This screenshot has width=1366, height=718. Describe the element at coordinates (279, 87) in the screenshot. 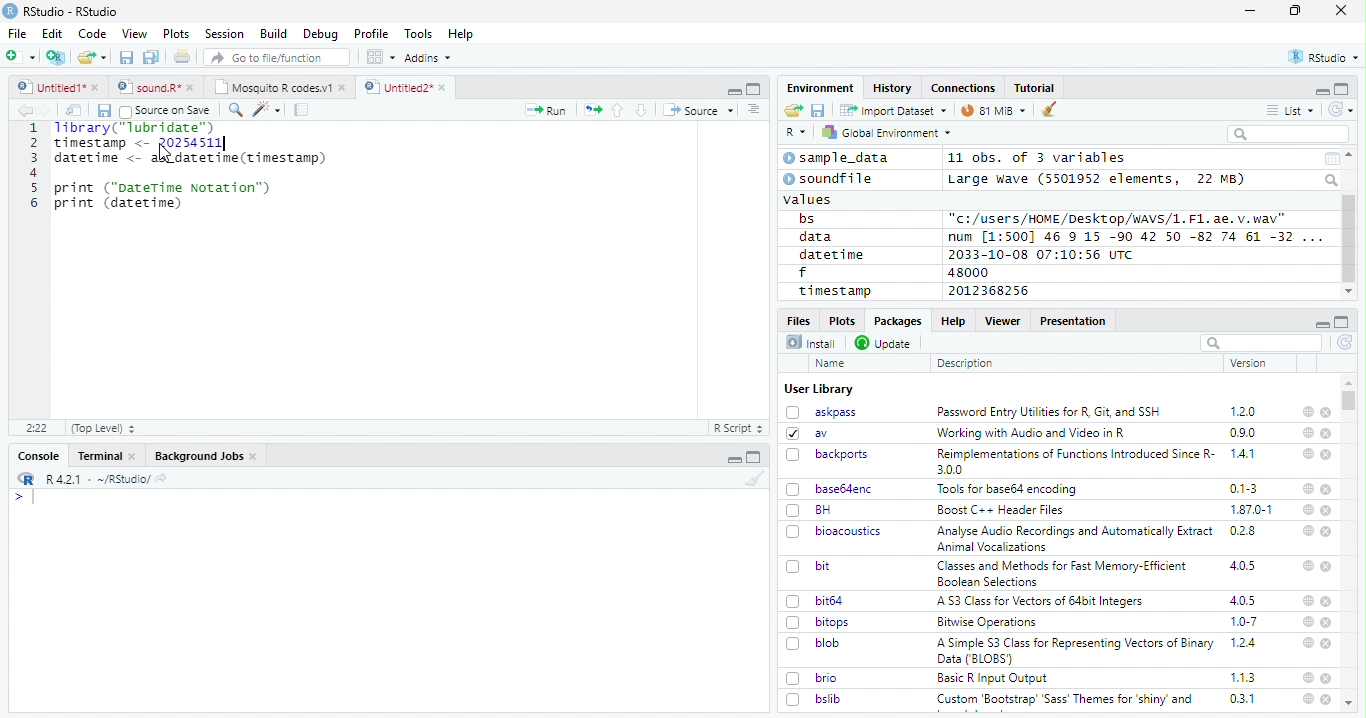

I see `Mosquito R codes.v1` at that location.